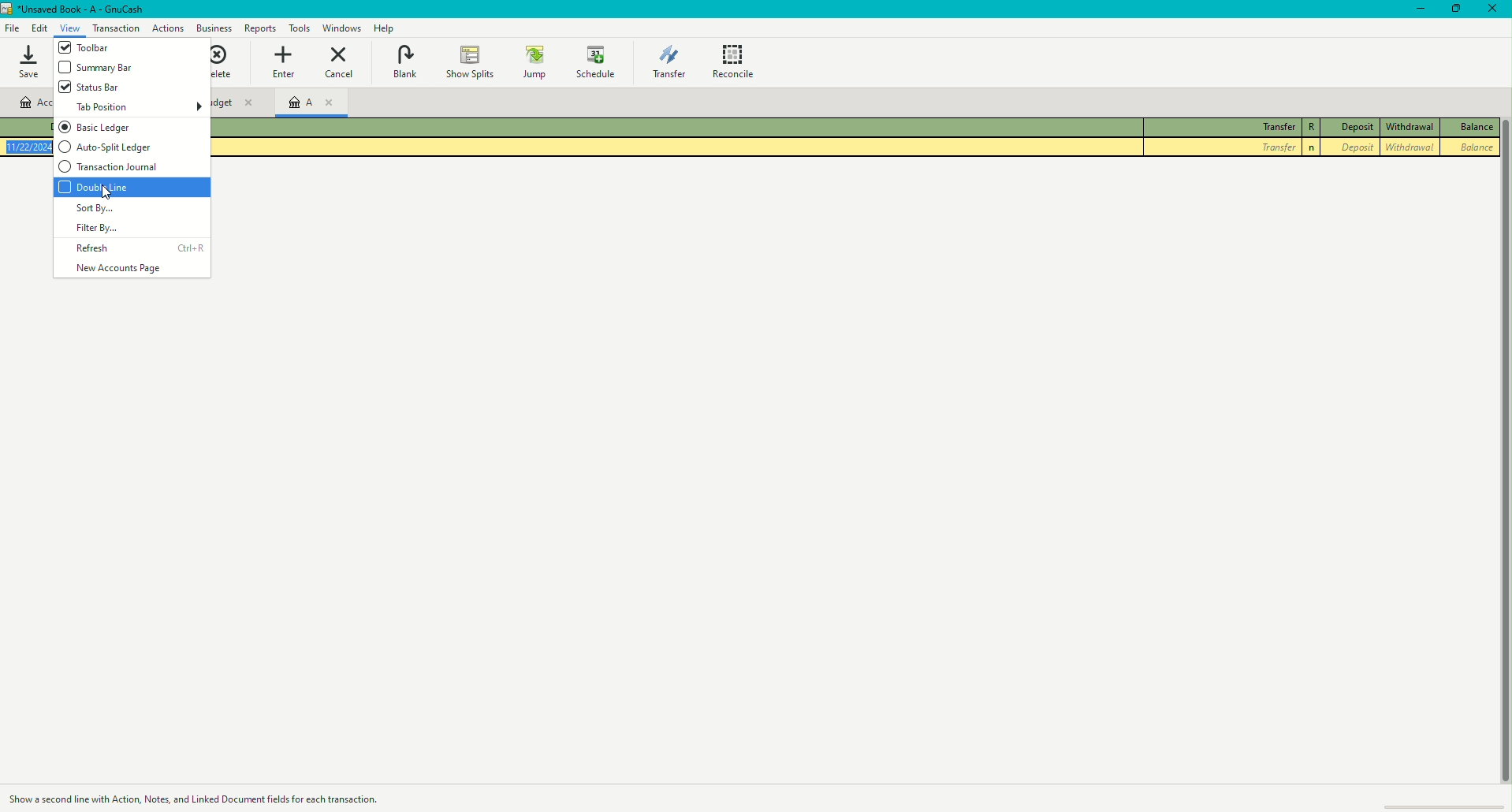 Image resolution: width=1512 pixels, height=812 pixels. I want to click on Deposit, so click(1354, 149).